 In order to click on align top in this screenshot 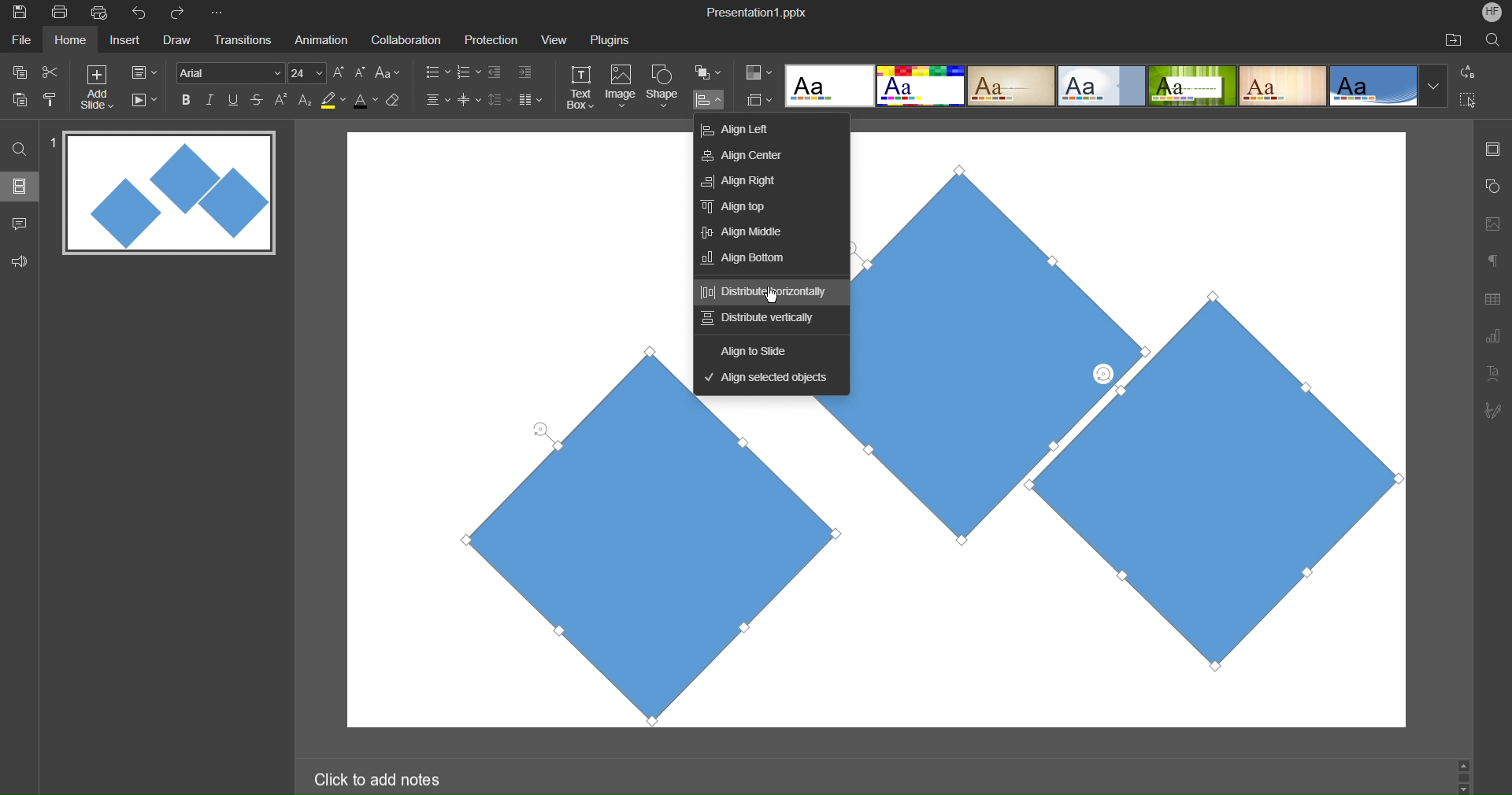, I will do `click(767, 204)`.